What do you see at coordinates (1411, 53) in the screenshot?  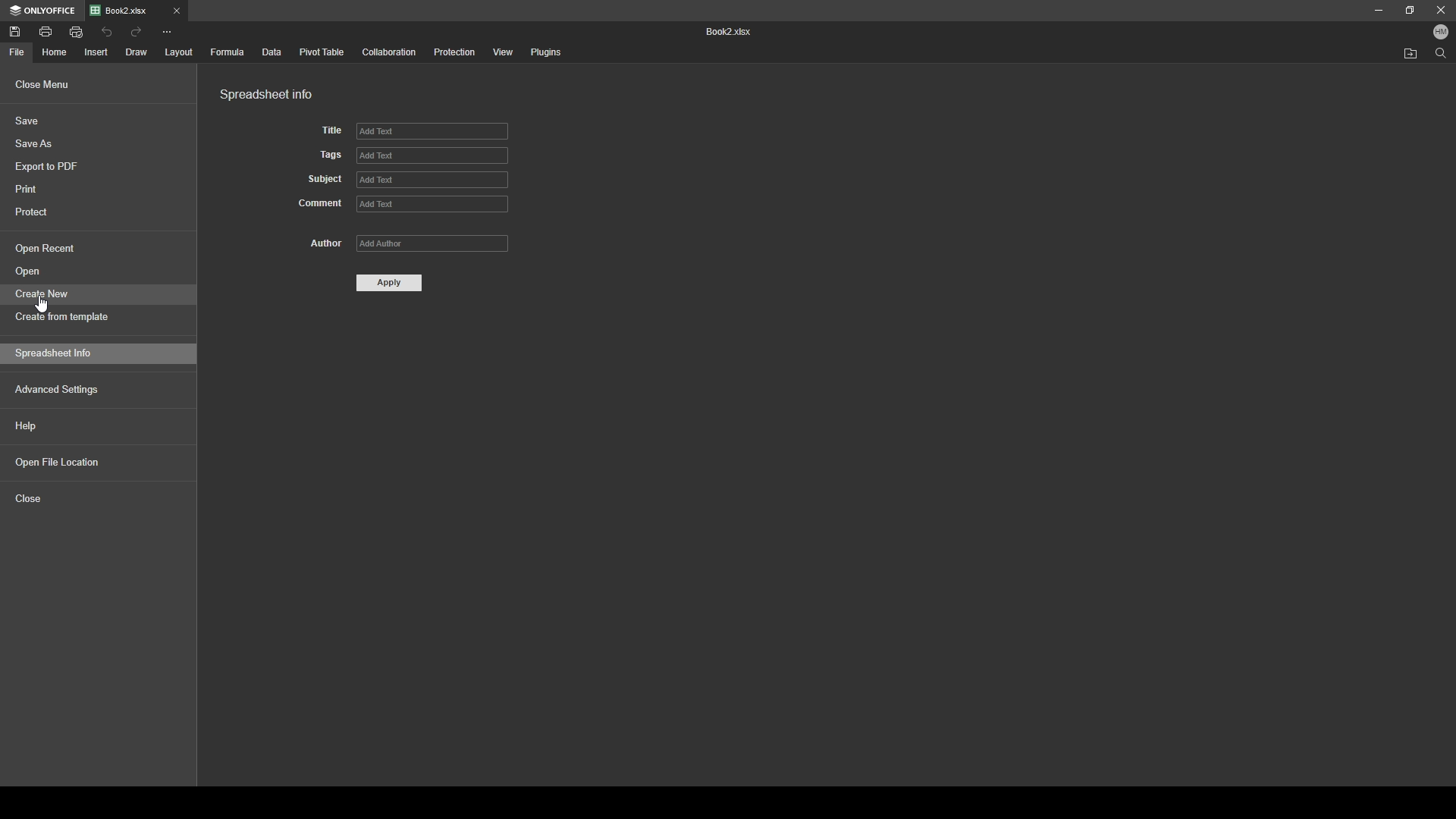 I see `locate file` at bounding box center [1411, 53].